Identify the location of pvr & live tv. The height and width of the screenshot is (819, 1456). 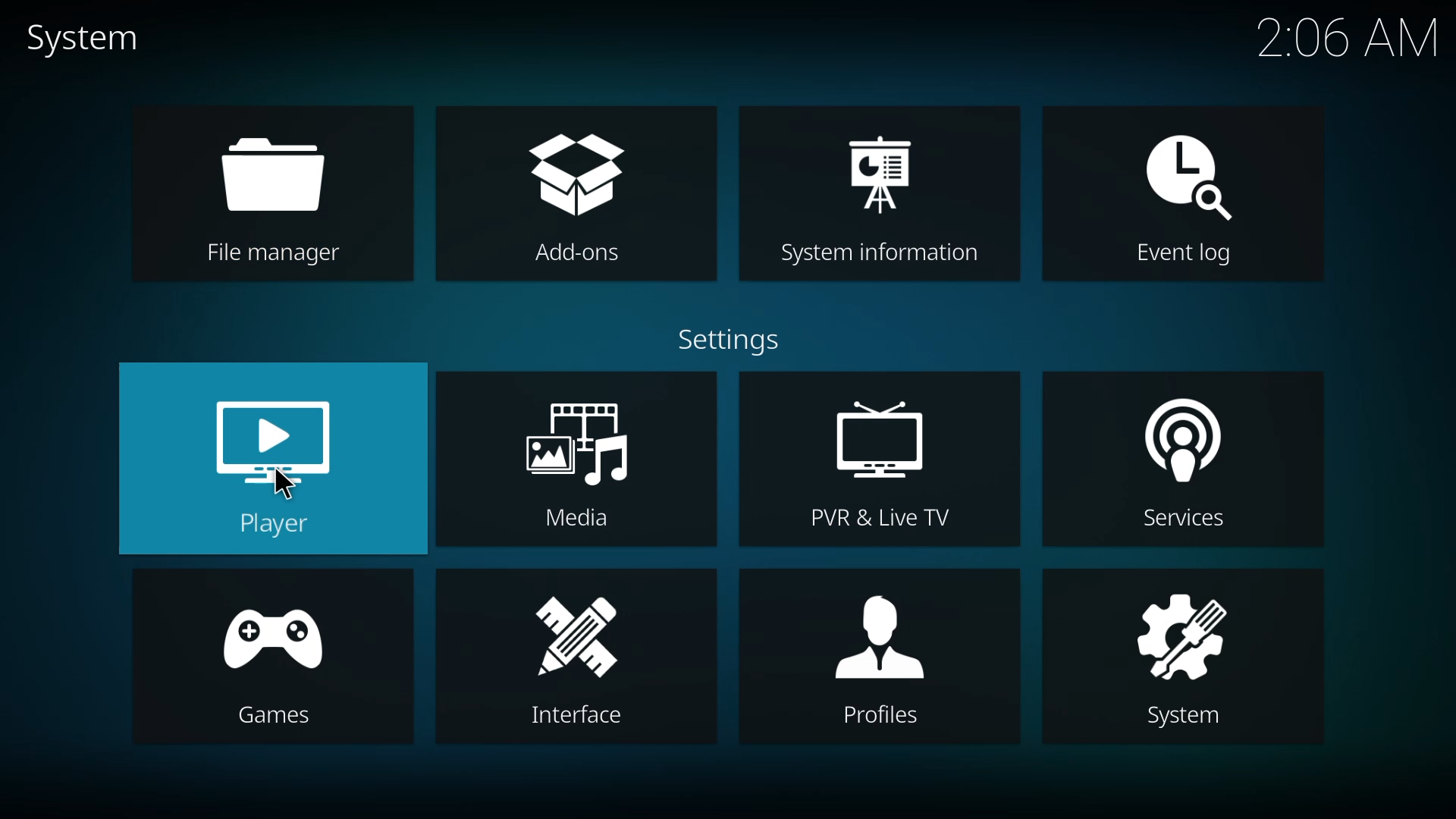
(883, 460).